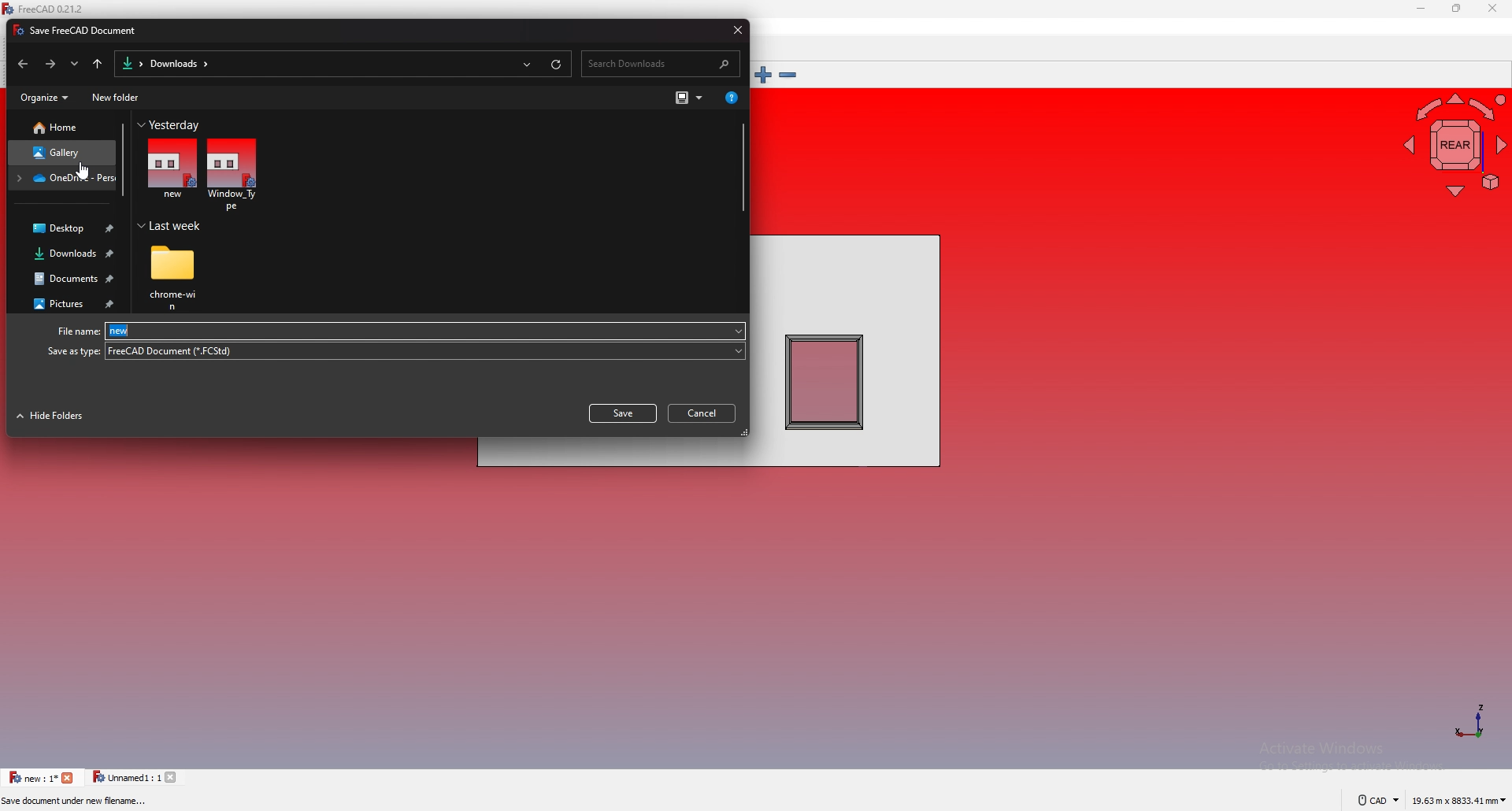  What do you see at coordinates (1458, 801) in the screenshot?
I see `dimensions` at bounding box center [1458, 801].